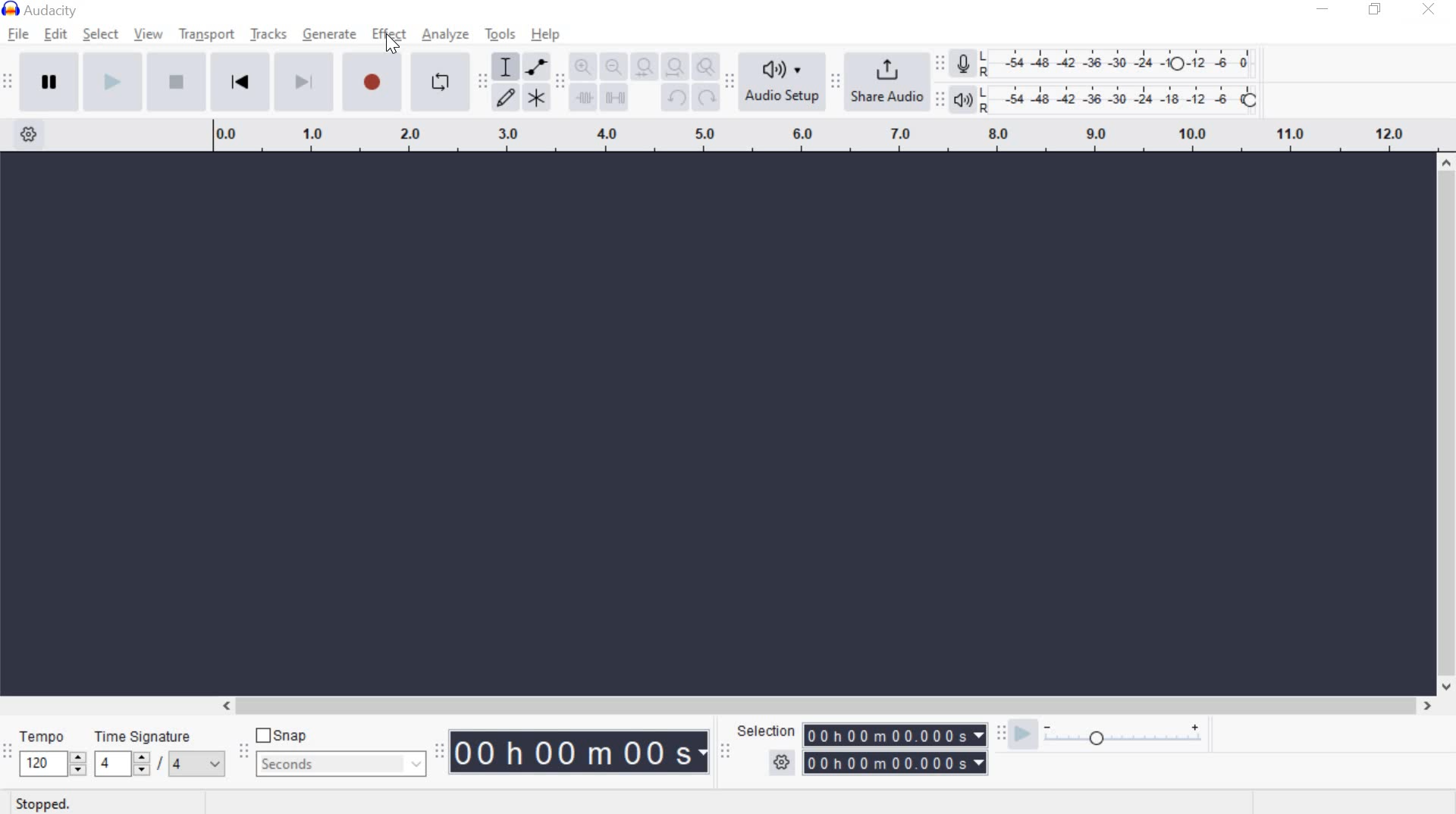 The image size is (1456, 814). I want to click on selection, so click(766, 729).